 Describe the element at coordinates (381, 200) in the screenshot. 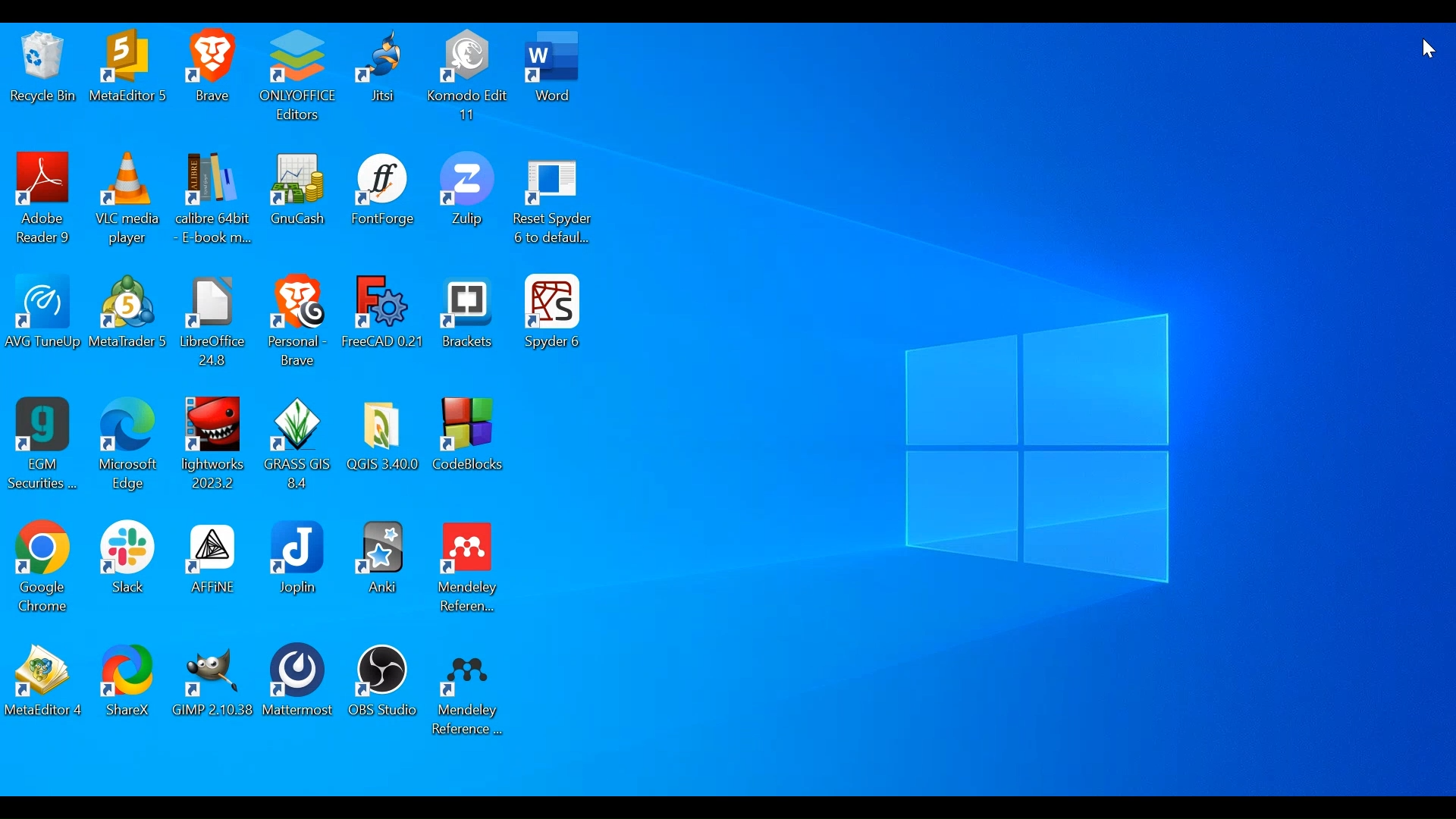

I see `FontForge ` at that location.